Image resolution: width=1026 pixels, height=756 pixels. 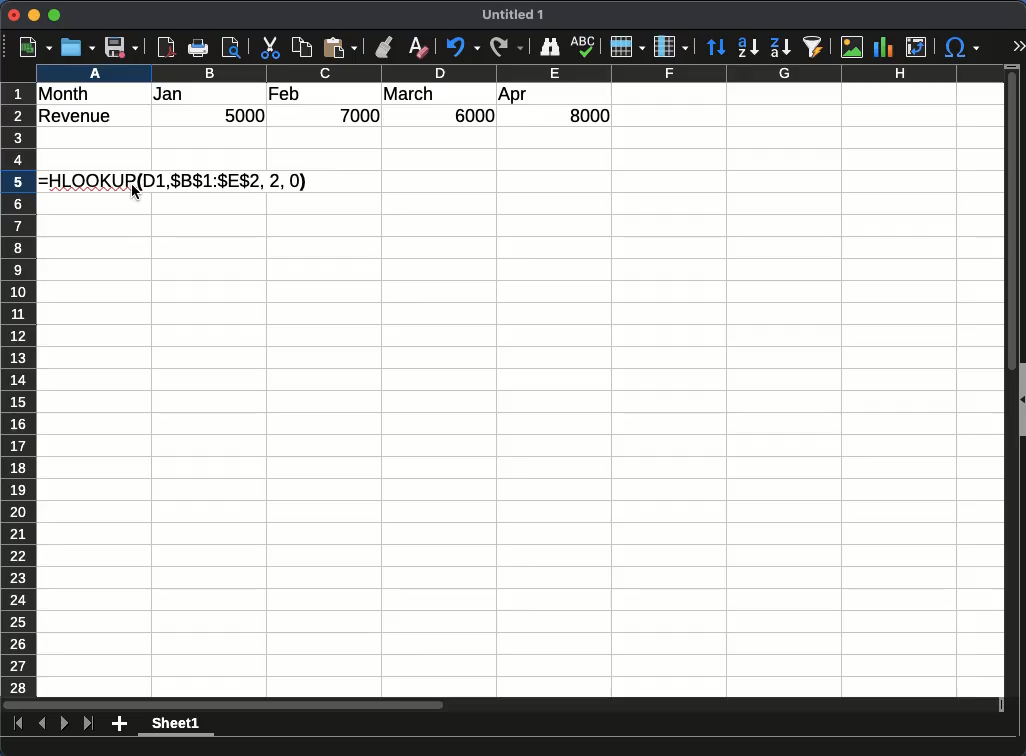 What do you see at coordinates (883, 47) in the screenshot?
I see `chart` at bounding box center [883, 47].